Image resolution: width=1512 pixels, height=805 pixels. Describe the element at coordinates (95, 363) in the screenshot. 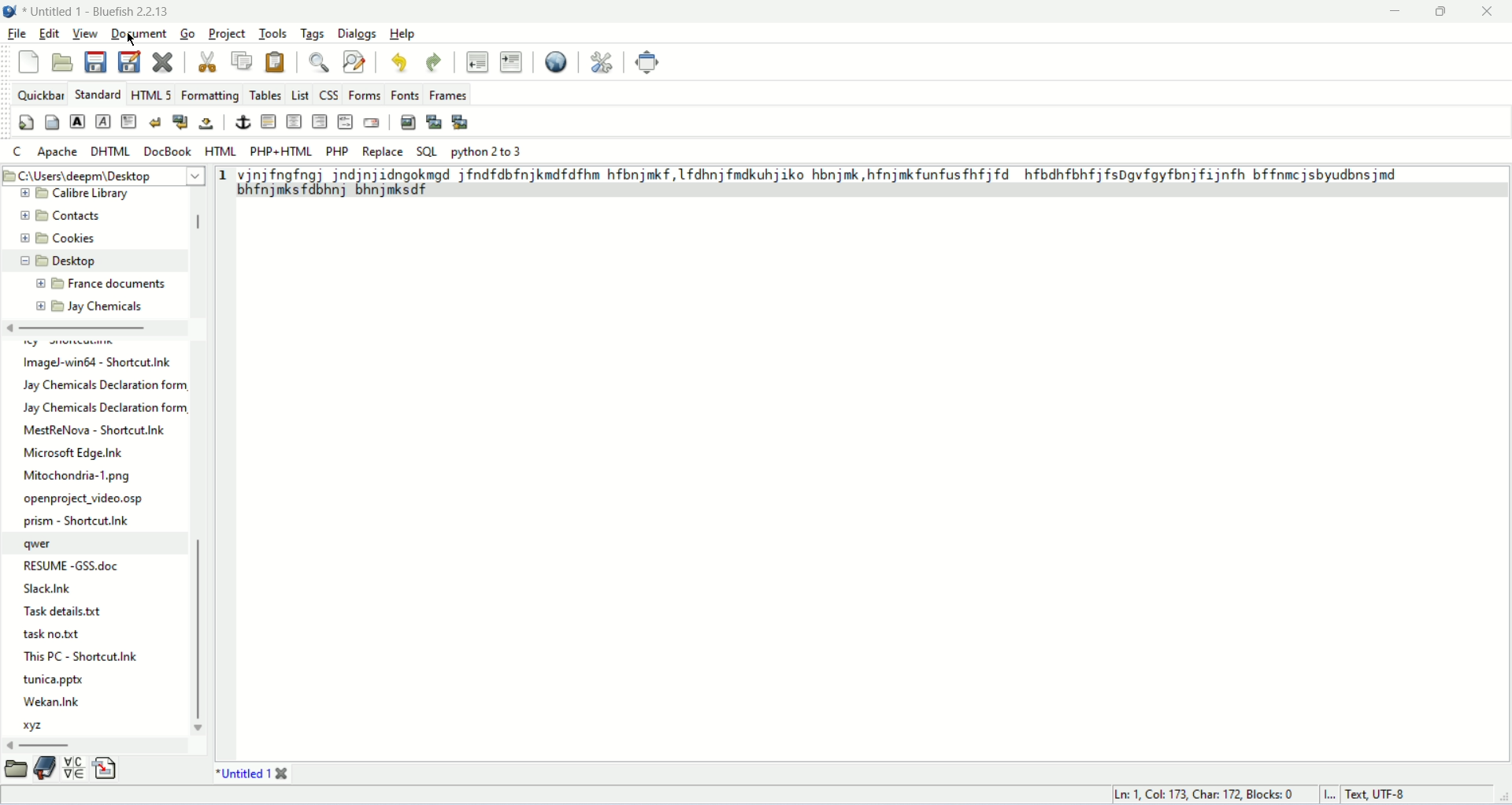

I see `ImageJ-win64 - Shortcut.Ink` at that location.